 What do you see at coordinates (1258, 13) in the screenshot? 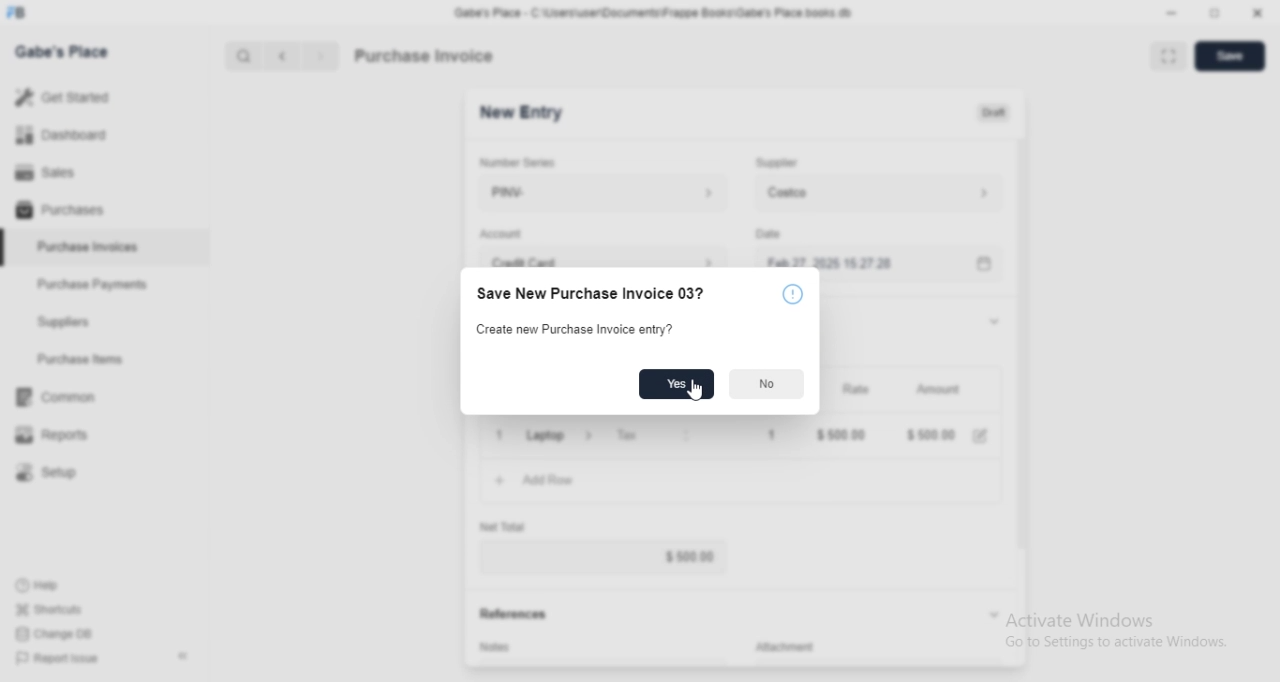
I see `Close` at bounding box center [1258, 13].